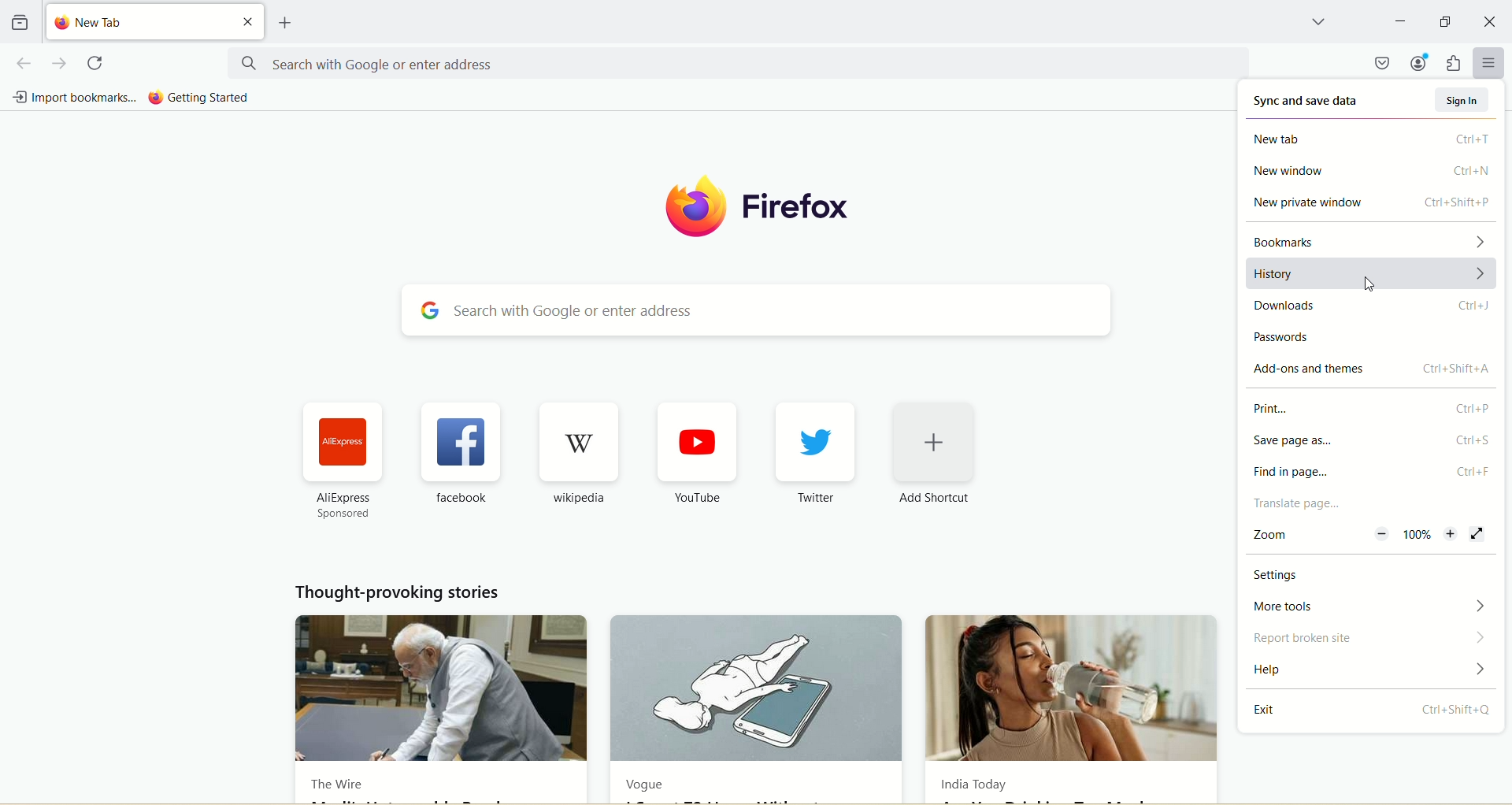 The width and height of the screenshot is (1512, 805). What do you see at coordinates (457, 499) in the screenshot?
I see `facebook` at bounding box center [457, 499].